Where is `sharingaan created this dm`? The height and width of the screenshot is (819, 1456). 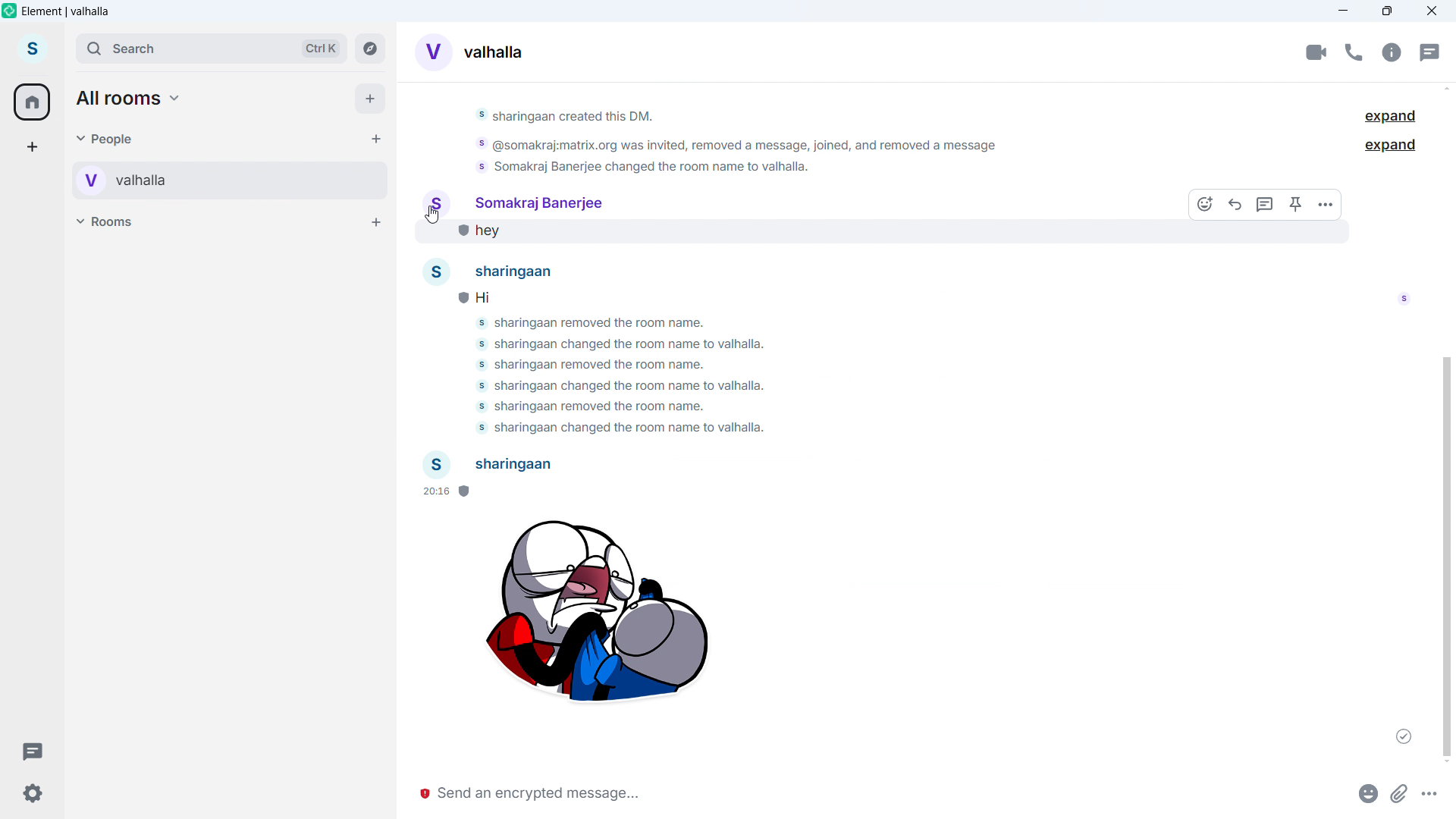 sharingaan created this dm is located at coordinates (730, 118).